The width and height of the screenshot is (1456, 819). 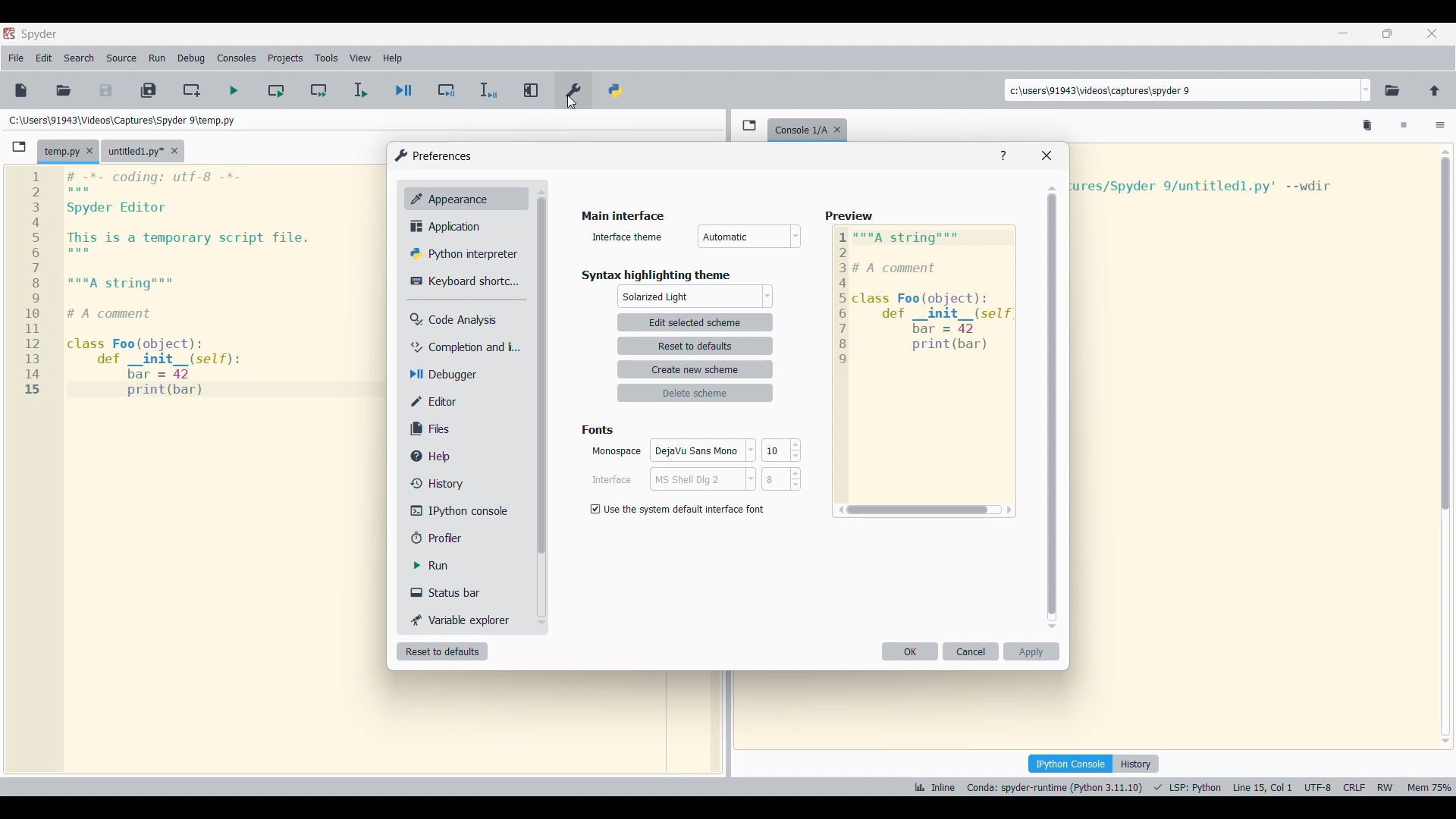 What do you see at coordinates (971, 651) in the screenshot?
I see `Cancel` at bounding box center [971, 651].